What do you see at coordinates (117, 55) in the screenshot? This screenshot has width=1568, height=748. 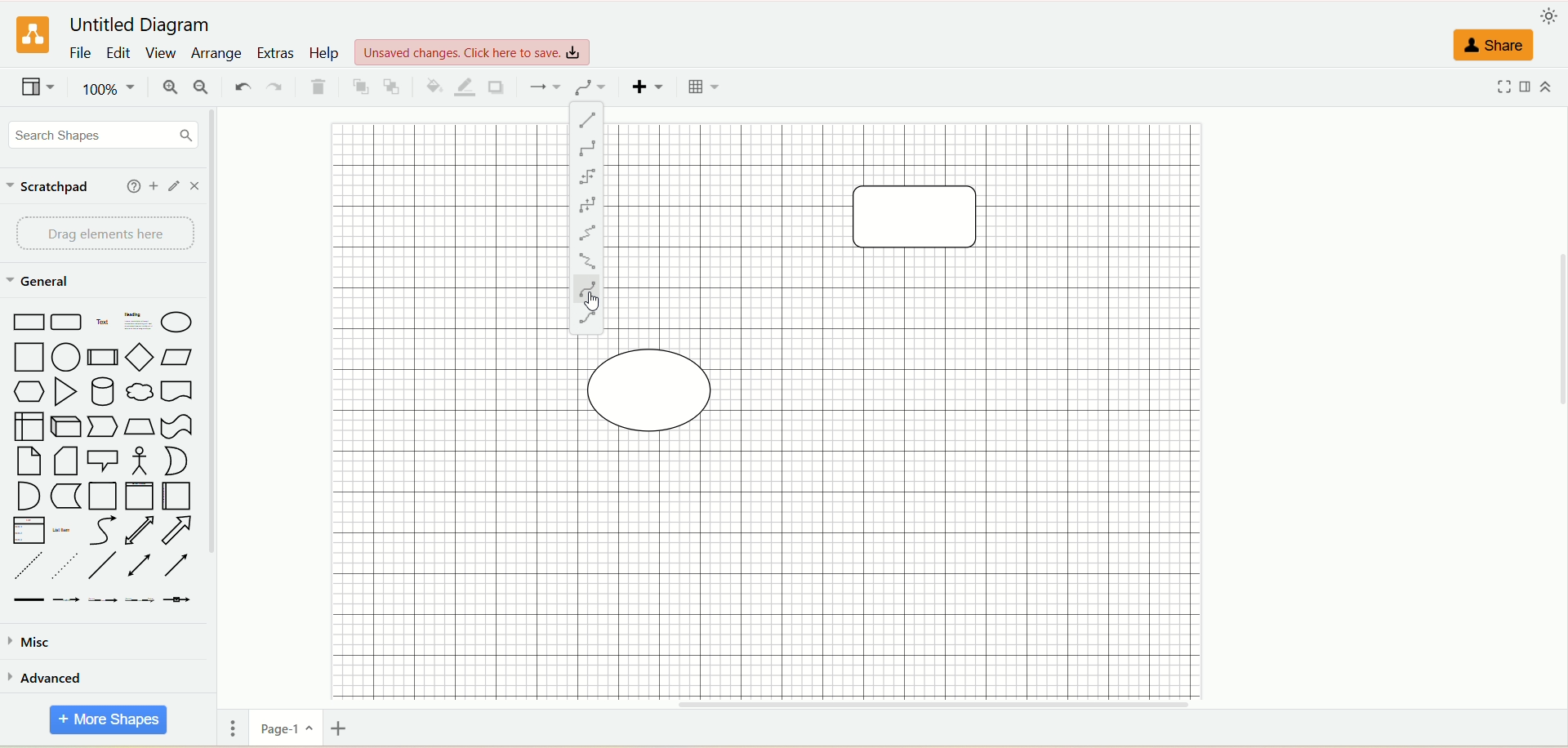 I see `edit` at bounding box center [117, 55].